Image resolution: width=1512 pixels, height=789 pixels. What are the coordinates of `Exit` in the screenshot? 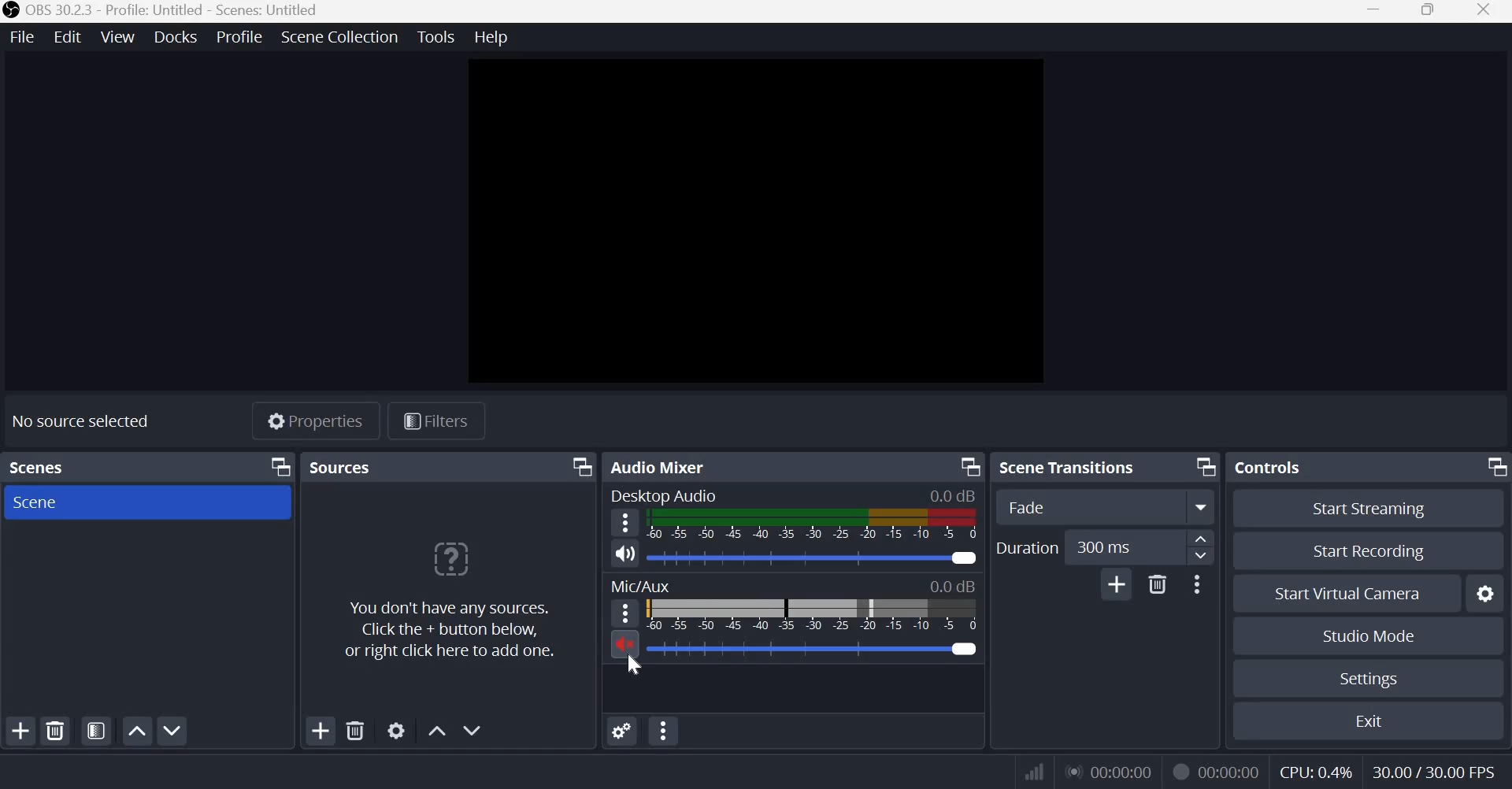 It's located at (1371, 721).